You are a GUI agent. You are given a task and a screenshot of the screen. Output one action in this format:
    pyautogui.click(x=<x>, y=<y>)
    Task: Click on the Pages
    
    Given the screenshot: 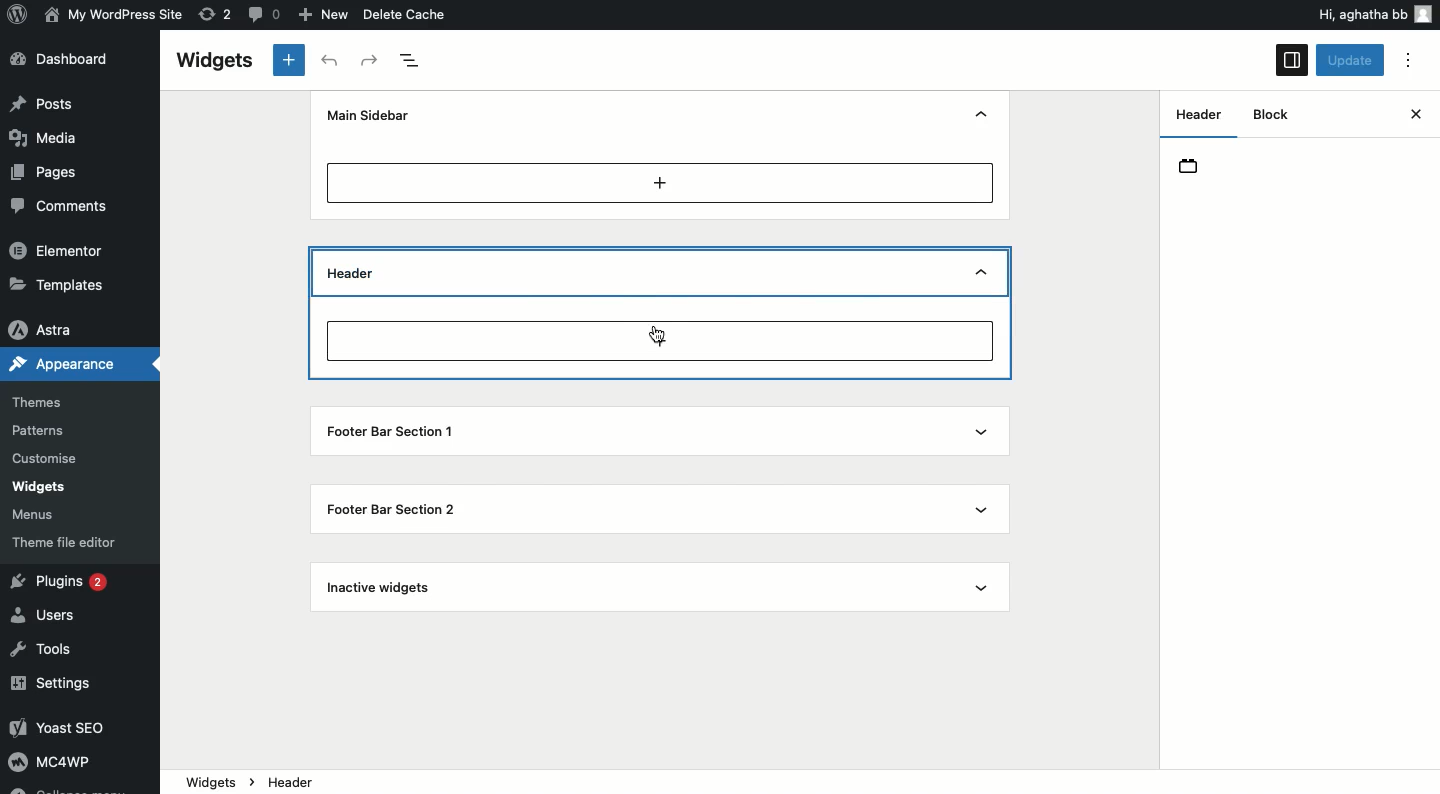 What is the action you would take?
    pyautogui.click(x=47, y=173)
    